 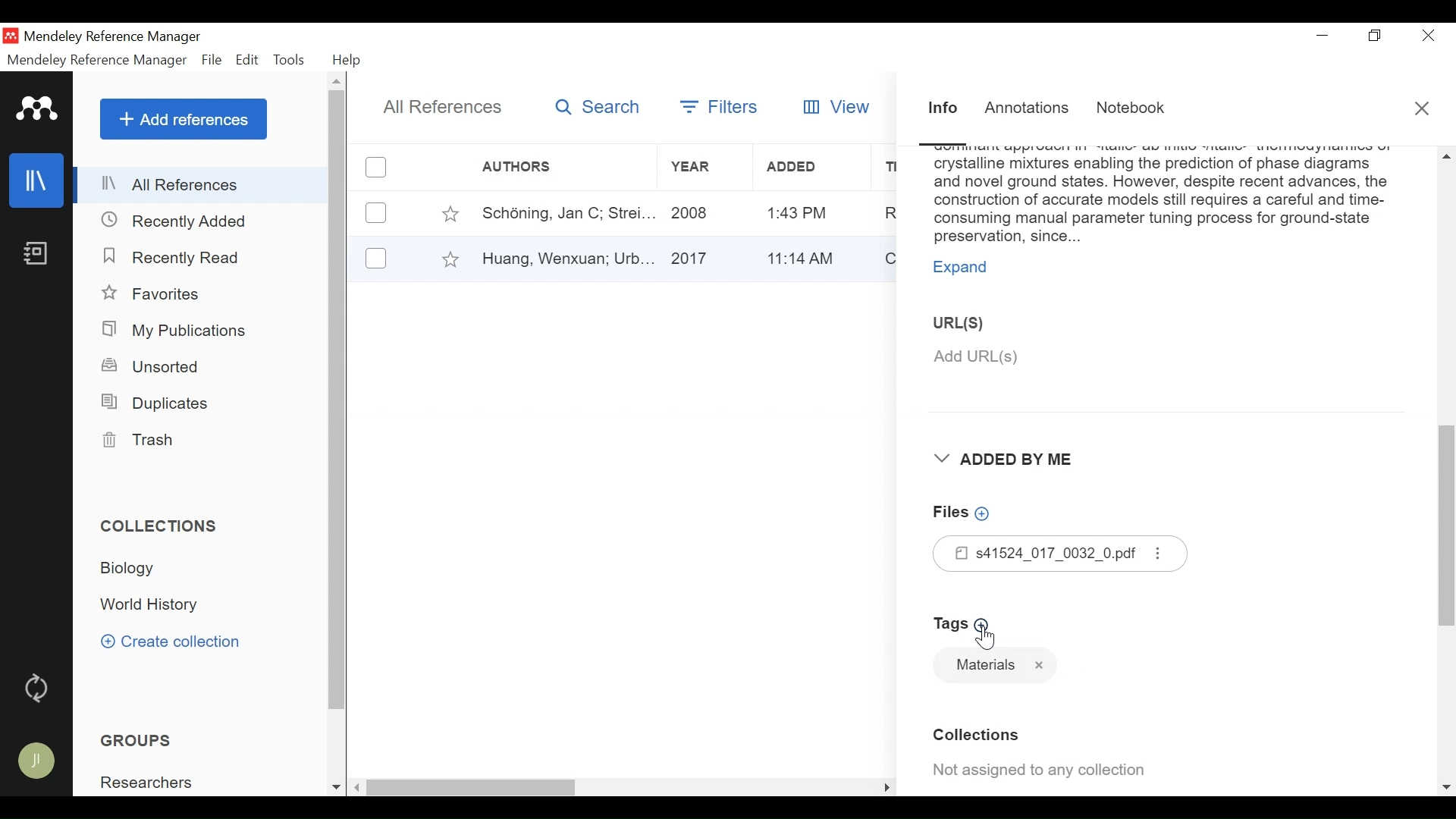 I want to click on Collection Assigned , so click(x=1044, y=773).